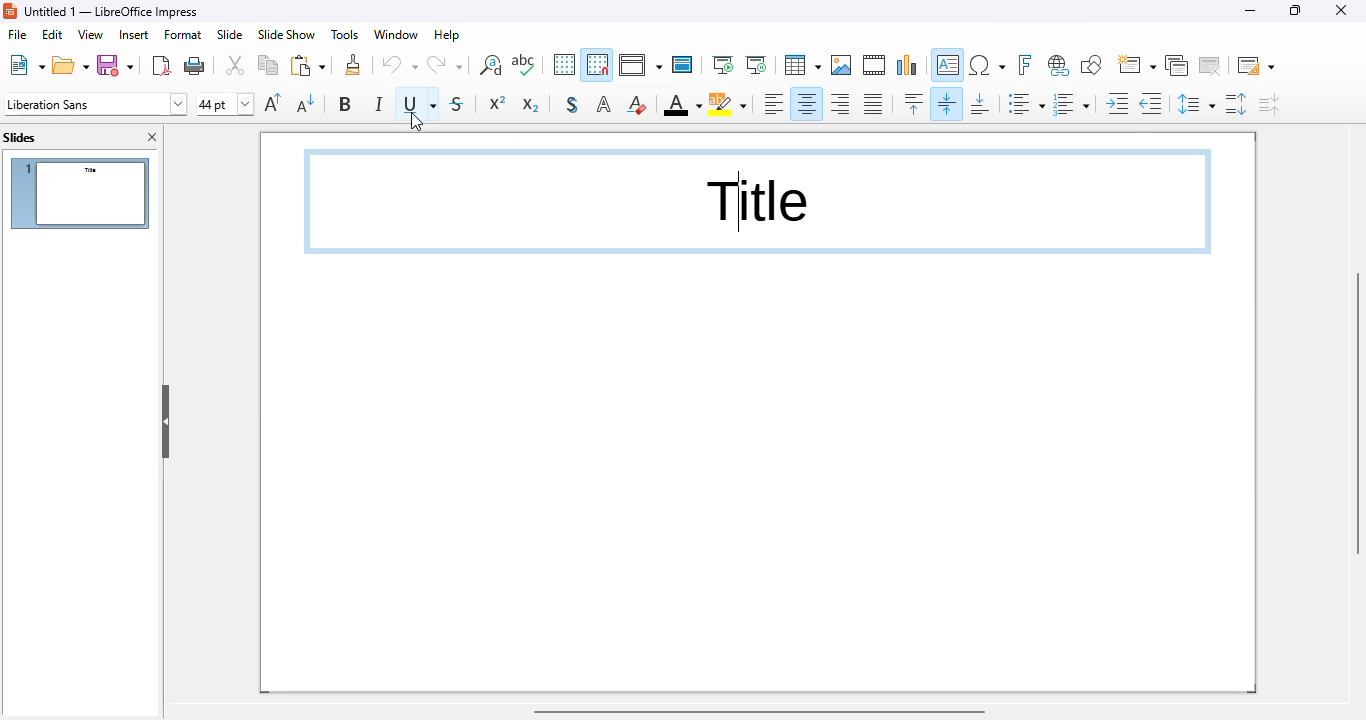 This screenshot has width=1366, height=720. What do you see at coordinates (446, 64) in the screenshot?
I see `redo` at bounding box center [446, 64].